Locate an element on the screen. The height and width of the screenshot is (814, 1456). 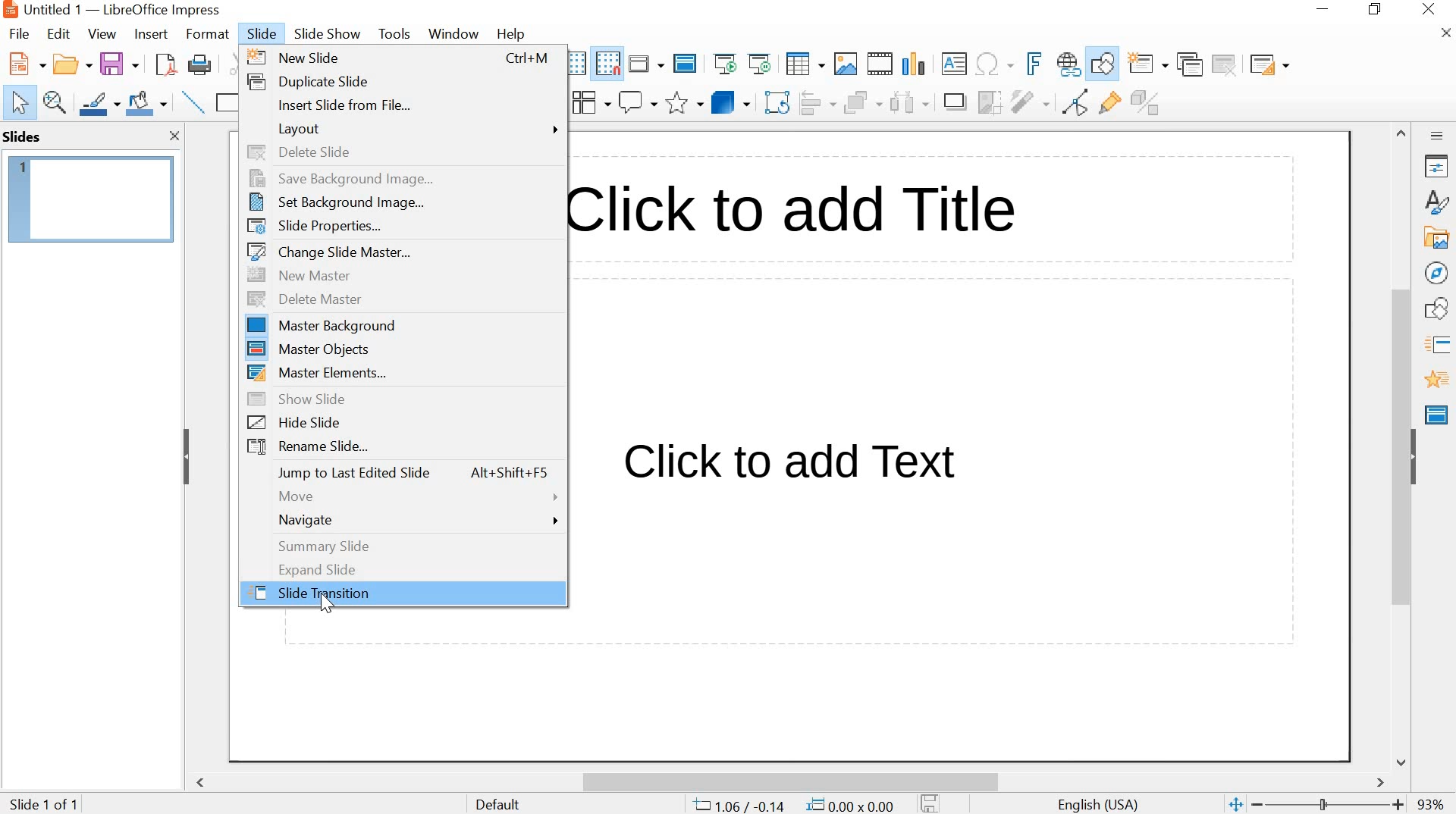
ANIMATION is located at coordinates (1437, 380).